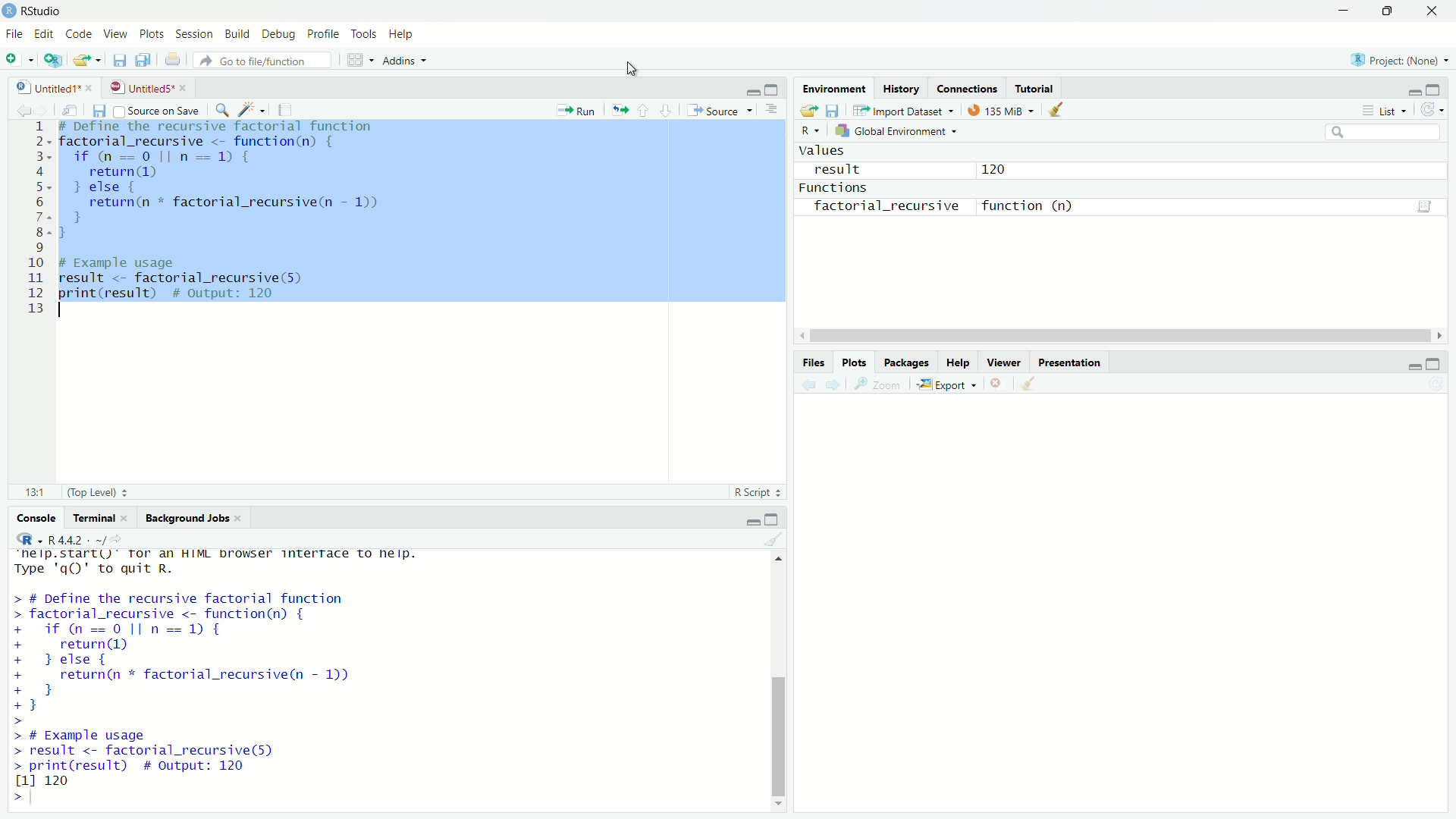  I want to click on Session, so click(193, 35).